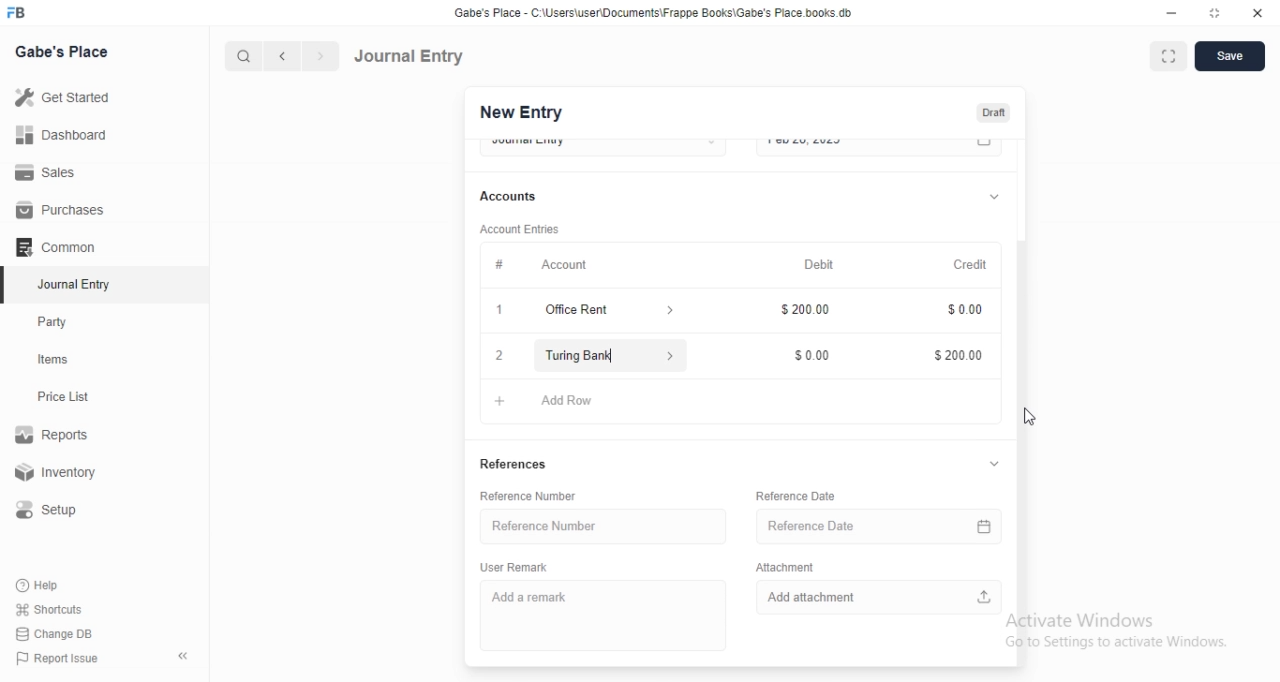 Image resolution: width=1280 pixels, height=682 pixels. What do you see at coordinates (1226, 58) in the screenshot?
I see `save` at bounding box center [1226, 58].